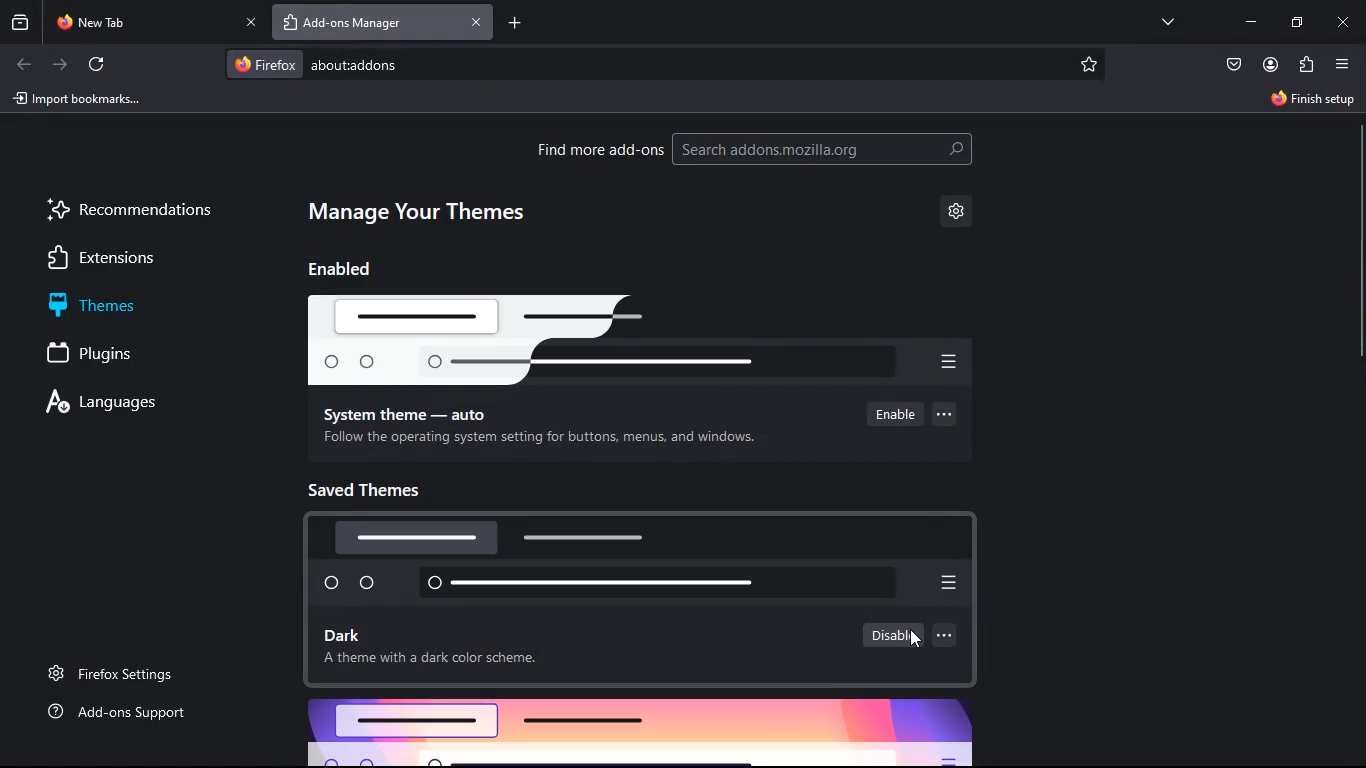 This screenshot has width=1366, height=768. What do you see at coordinates (369, 23) in the screenshot?
I see `add-on tab` at bounding box center [369, 23].